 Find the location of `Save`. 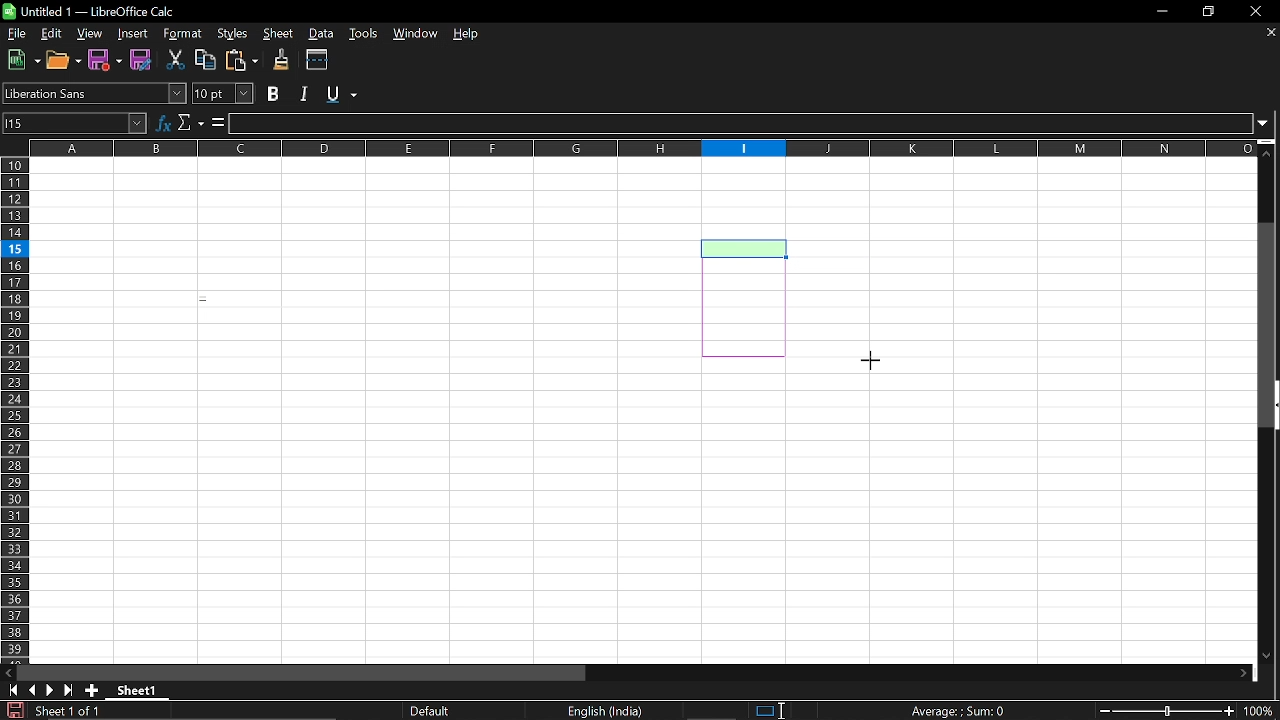

Save is located at coordinates (141, 61).